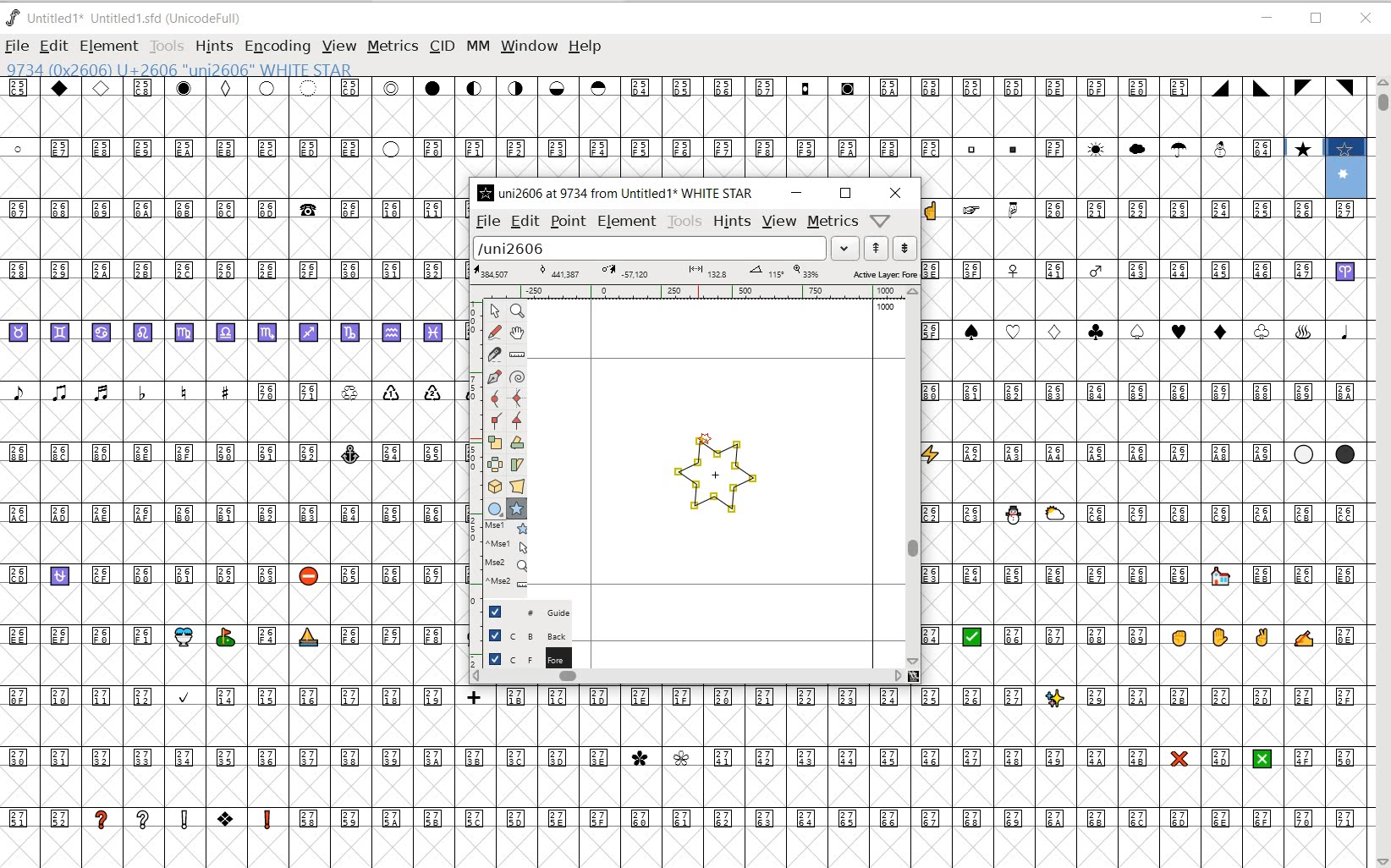 The width and height of the screenshot is (1391, 868). Describe the element at coordinates (779, 222) in the screenshot. I see `VIEW` at that location.